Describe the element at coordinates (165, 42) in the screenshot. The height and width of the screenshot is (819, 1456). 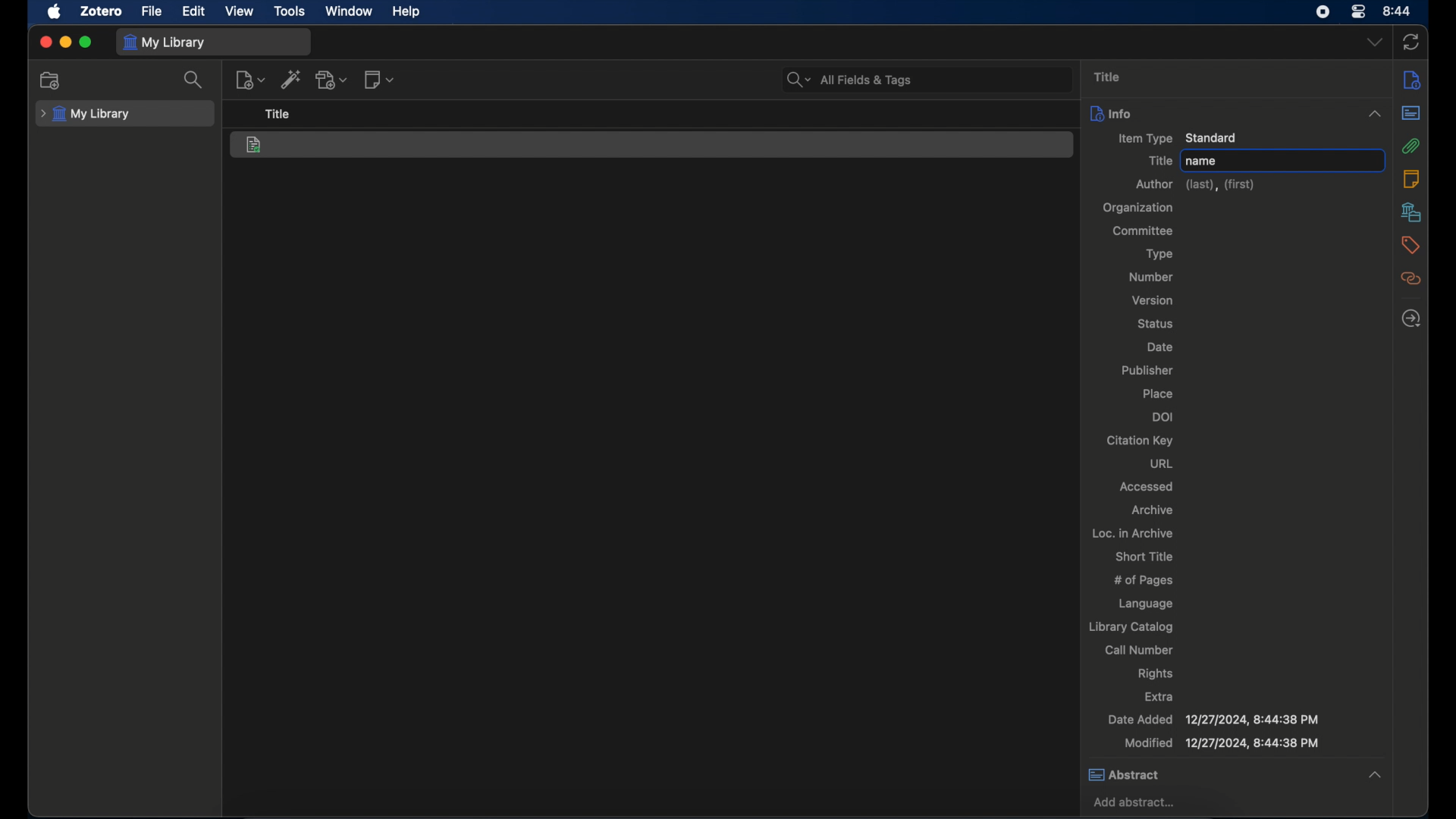
I see `my library` at that location.